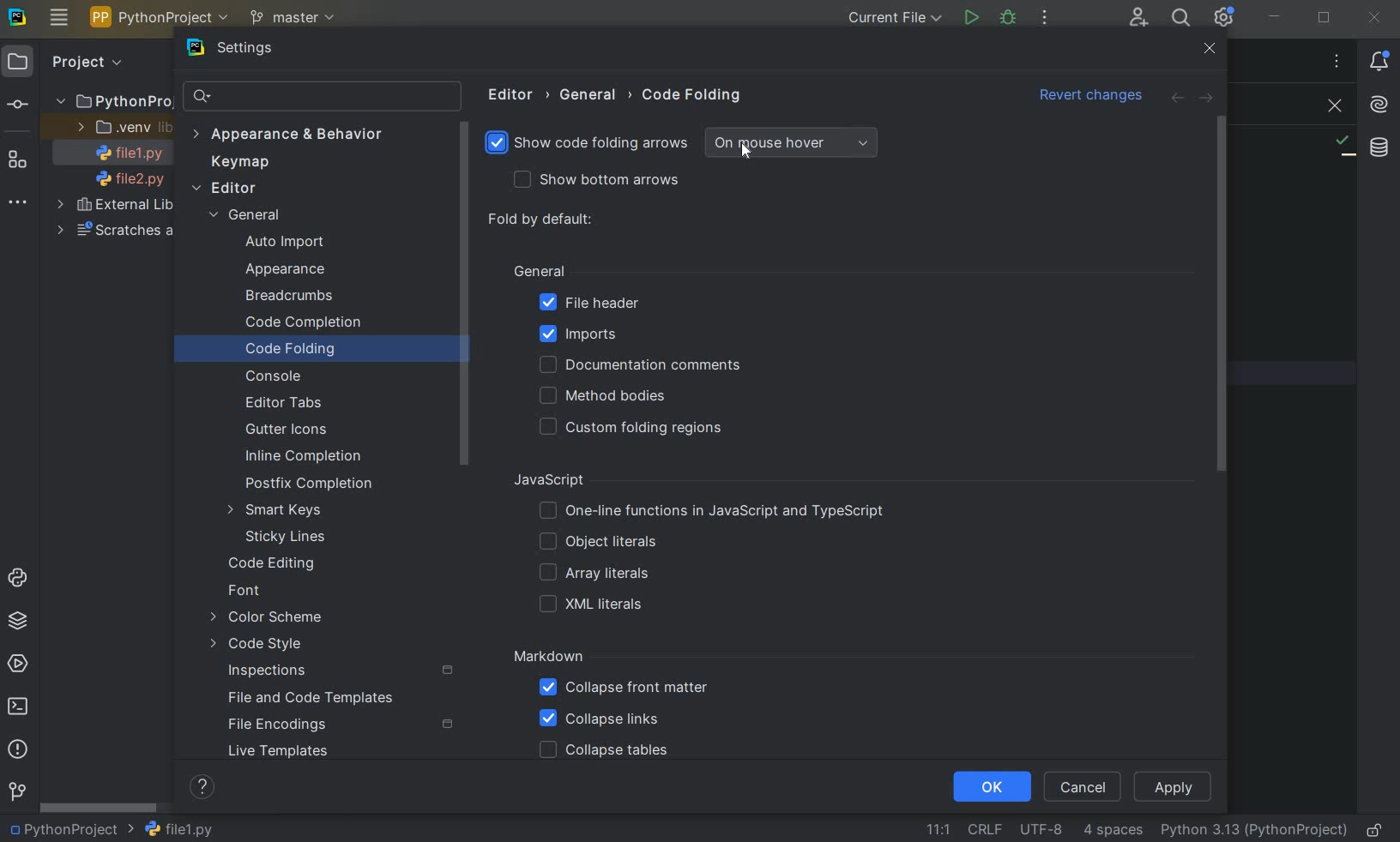 This screenshot has width=1400, height=842. I want to click on COLLAPSE FRONT MATTER, so click(624, 690).